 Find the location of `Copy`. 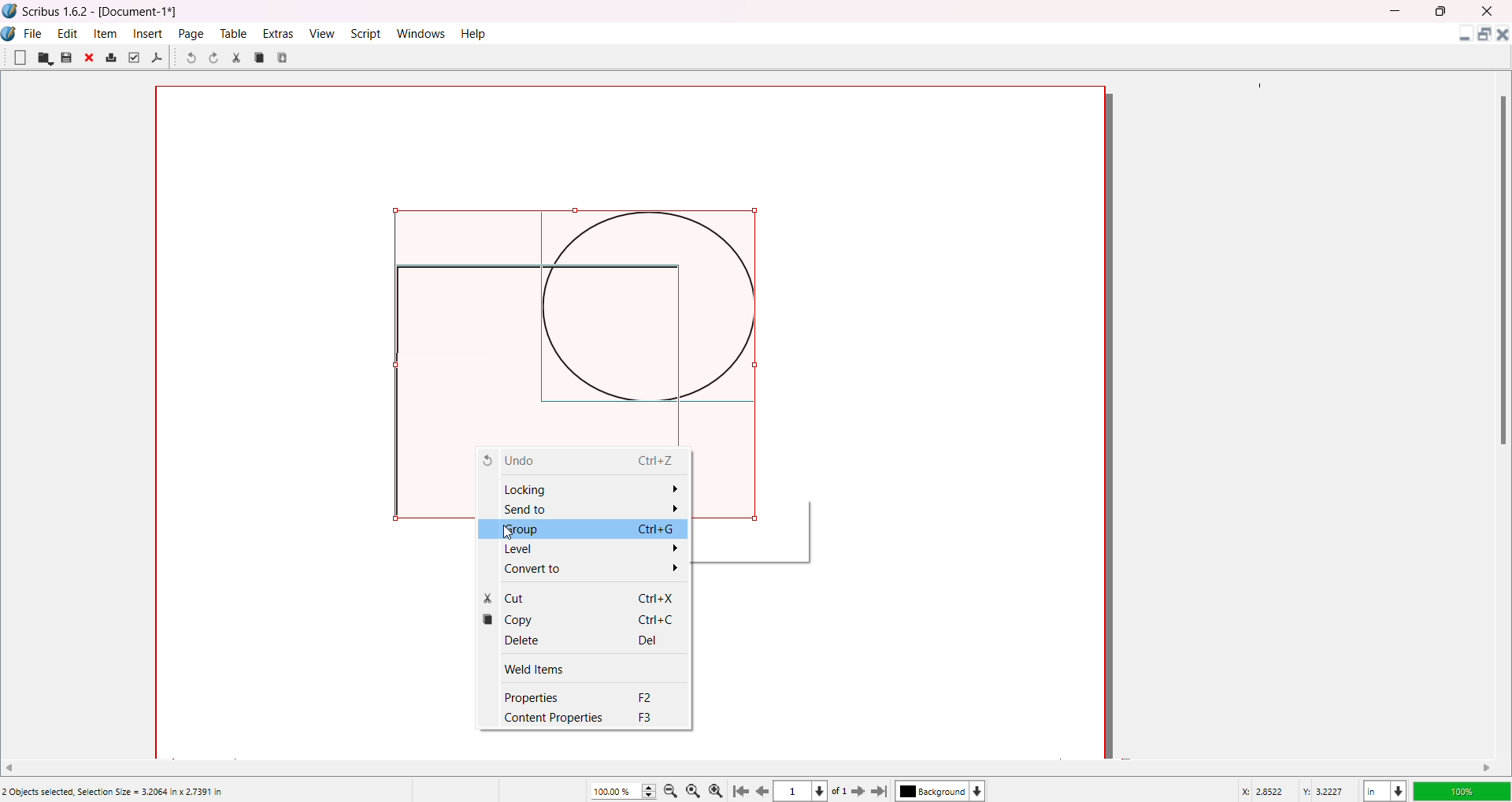

Copy is located at coordinates (260, 57).